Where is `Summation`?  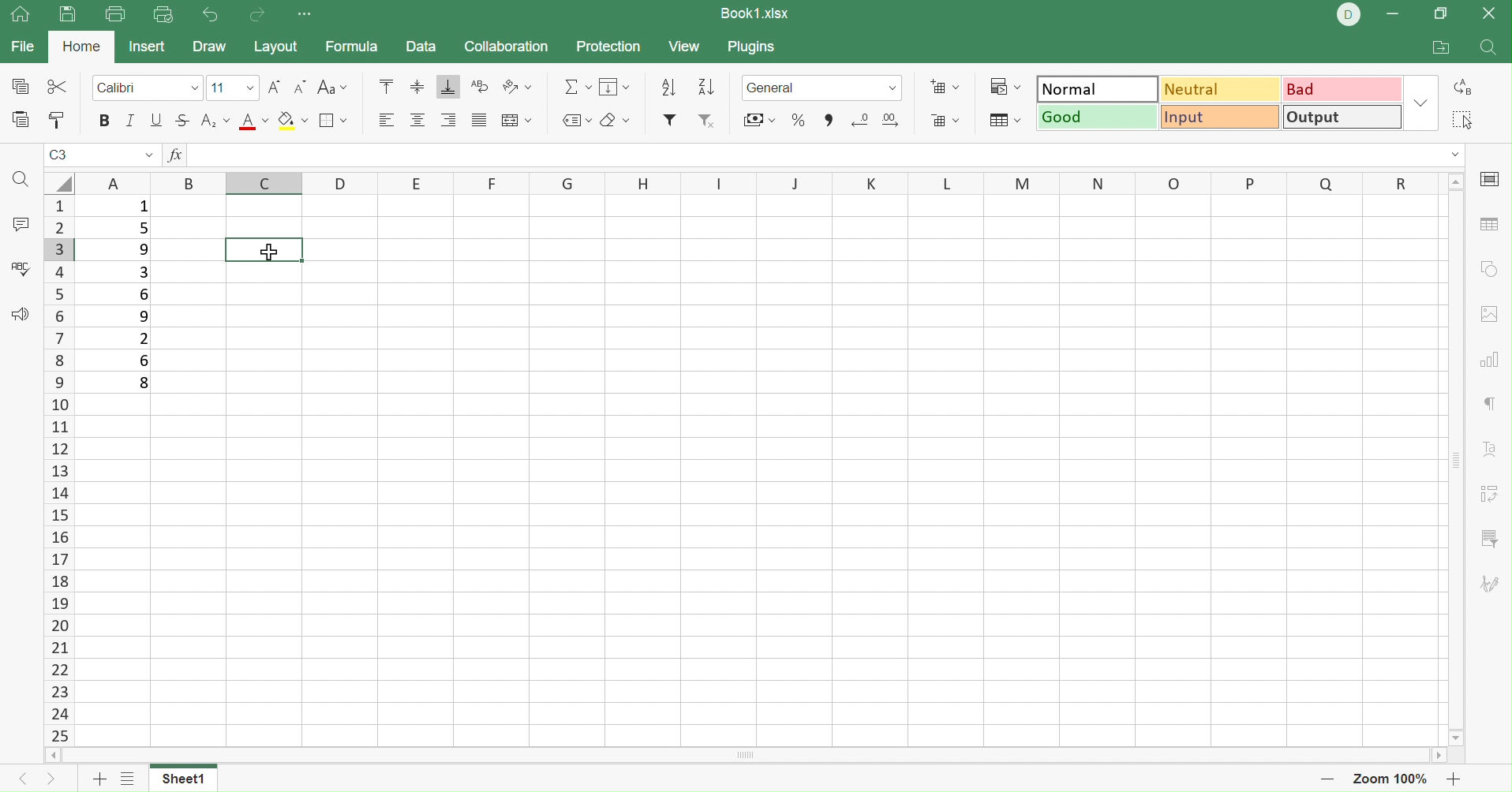 Summation is located at coordinates (577, 87).